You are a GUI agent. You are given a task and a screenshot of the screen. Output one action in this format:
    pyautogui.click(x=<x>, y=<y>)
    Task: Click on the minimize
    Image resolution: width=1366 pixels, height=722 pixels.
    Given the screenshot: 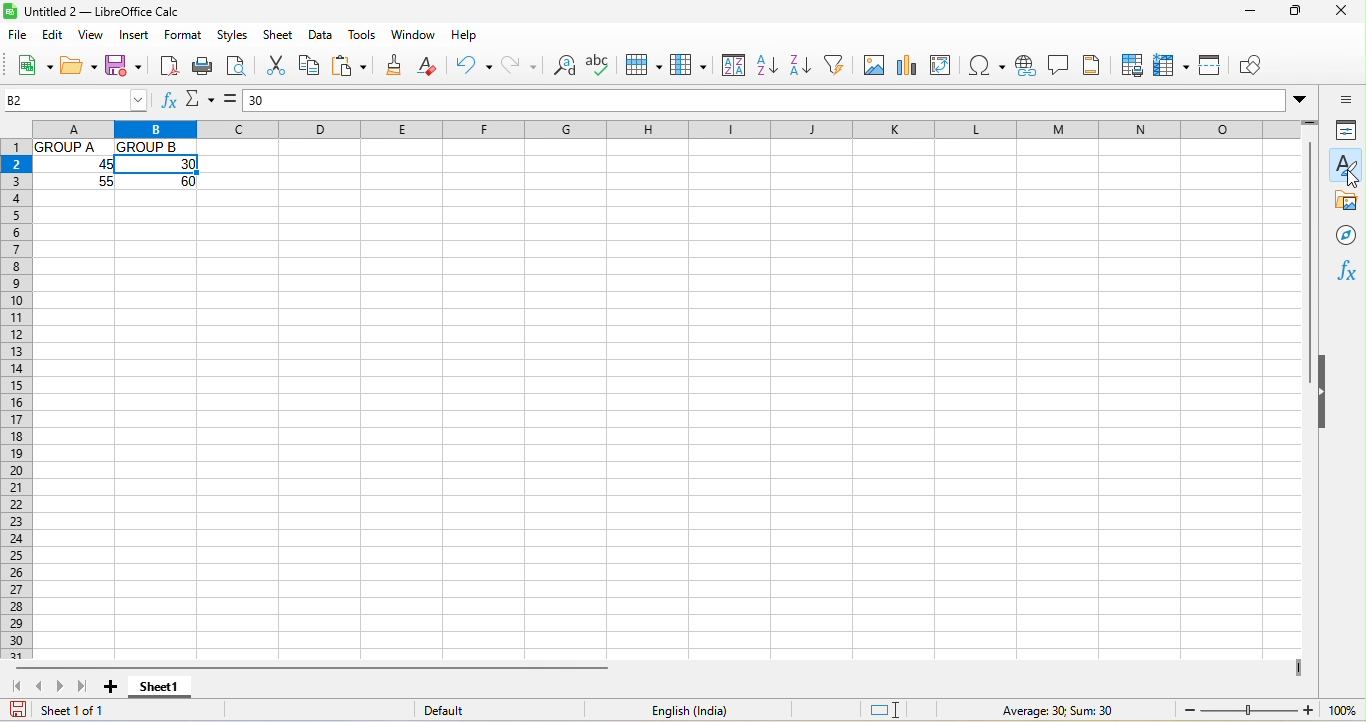 What is the action you would take?
    pyautogui.click(x=1248, y=11)
    